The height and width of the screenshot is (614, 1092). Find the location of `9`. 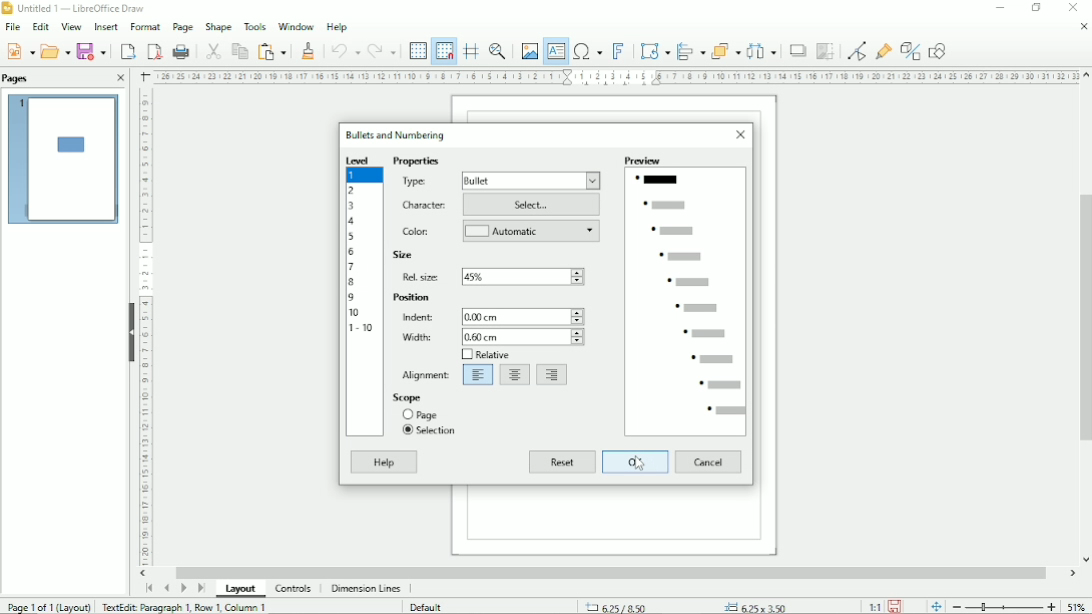

9 is located at coordinates (352, 298).